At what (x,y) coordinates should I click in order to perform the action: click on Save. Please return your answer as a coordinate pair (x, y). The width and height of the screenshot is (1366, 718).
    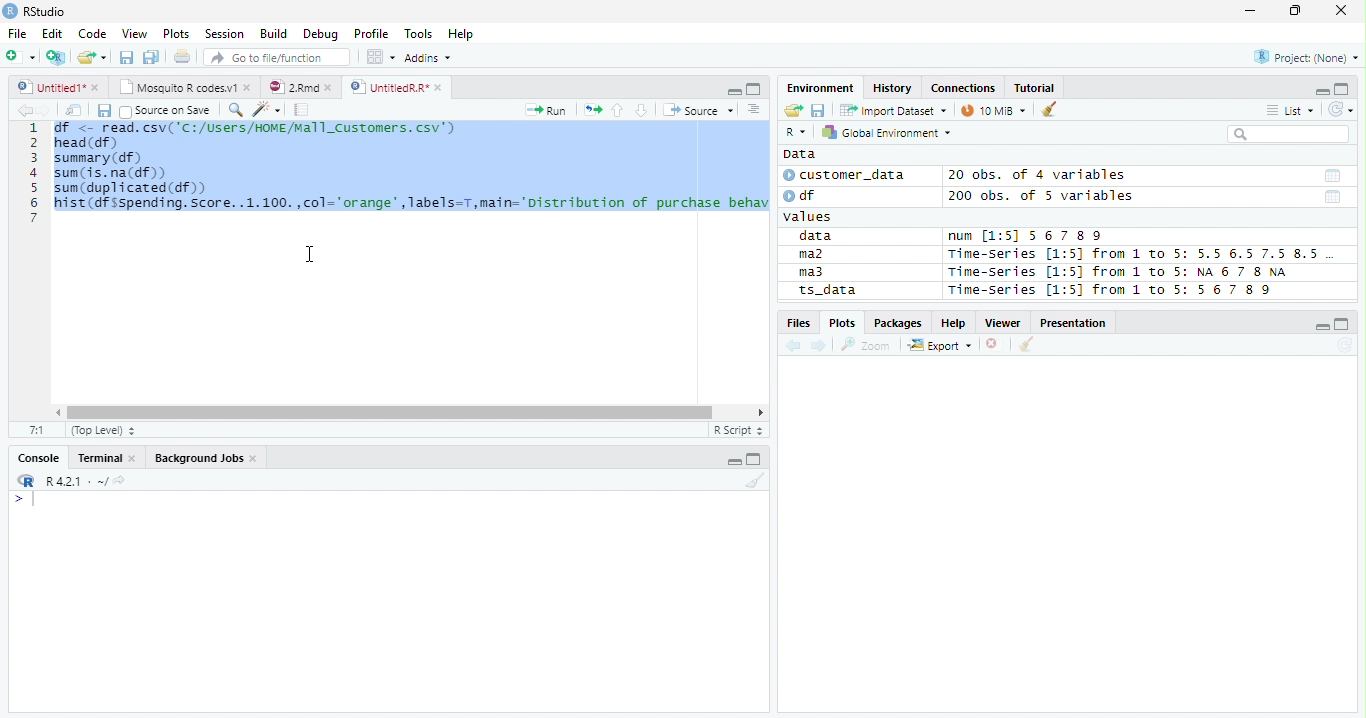
    Looking at the image, I should click on (103, 110).